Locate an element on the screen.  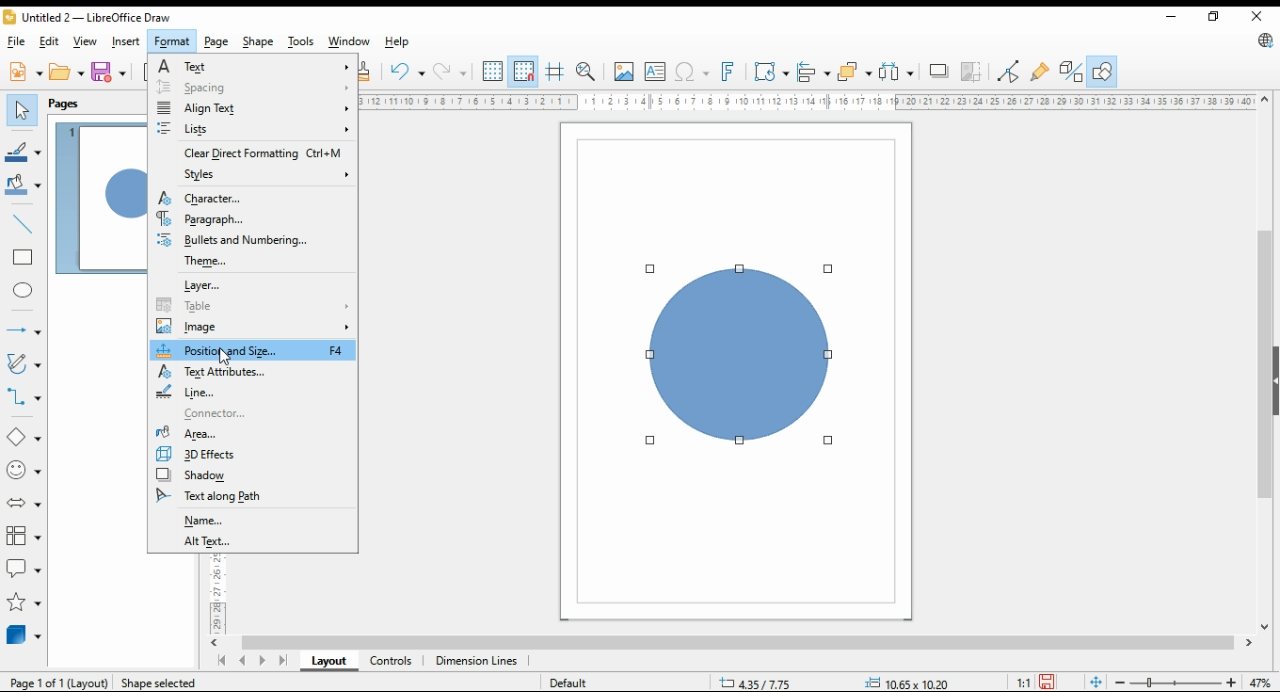
character is located at coordinates (246, 198).